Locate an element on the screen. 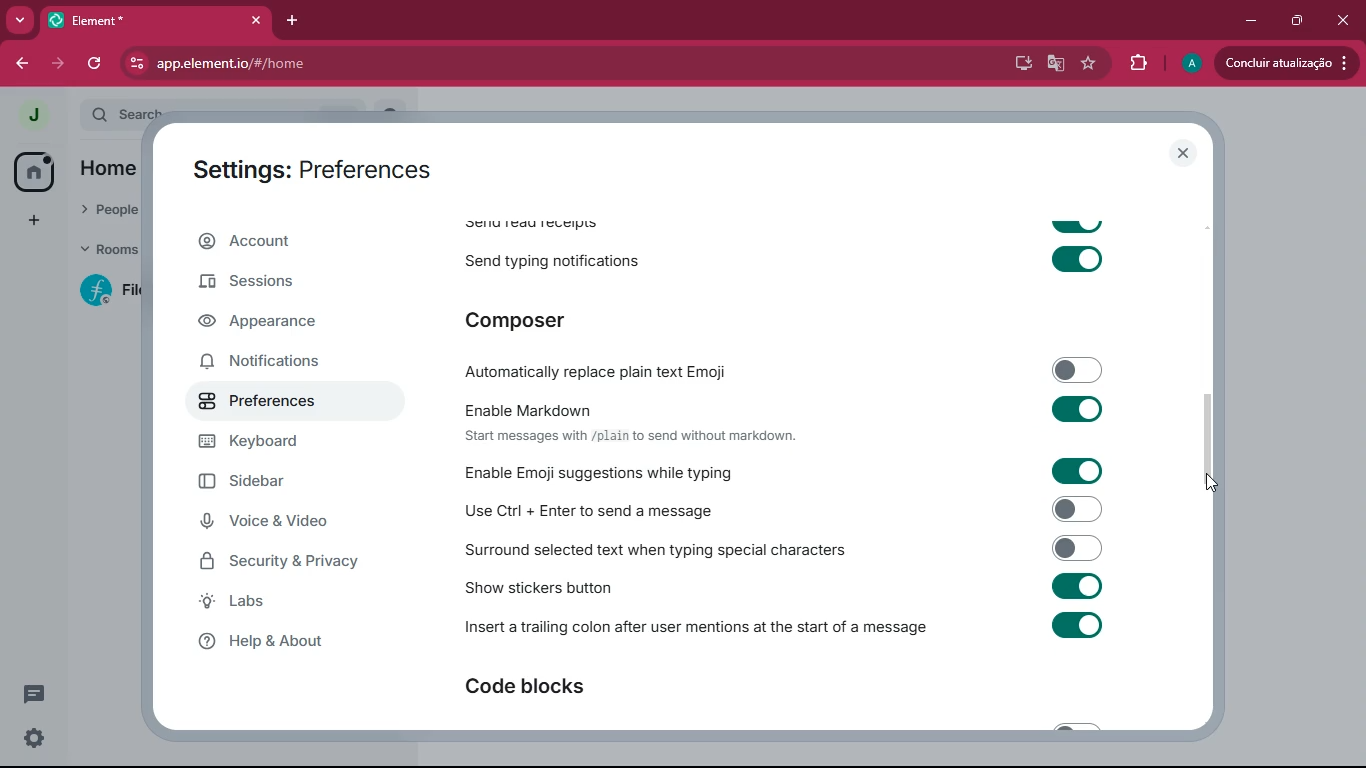  add tab is located at coordinates (288, 20).